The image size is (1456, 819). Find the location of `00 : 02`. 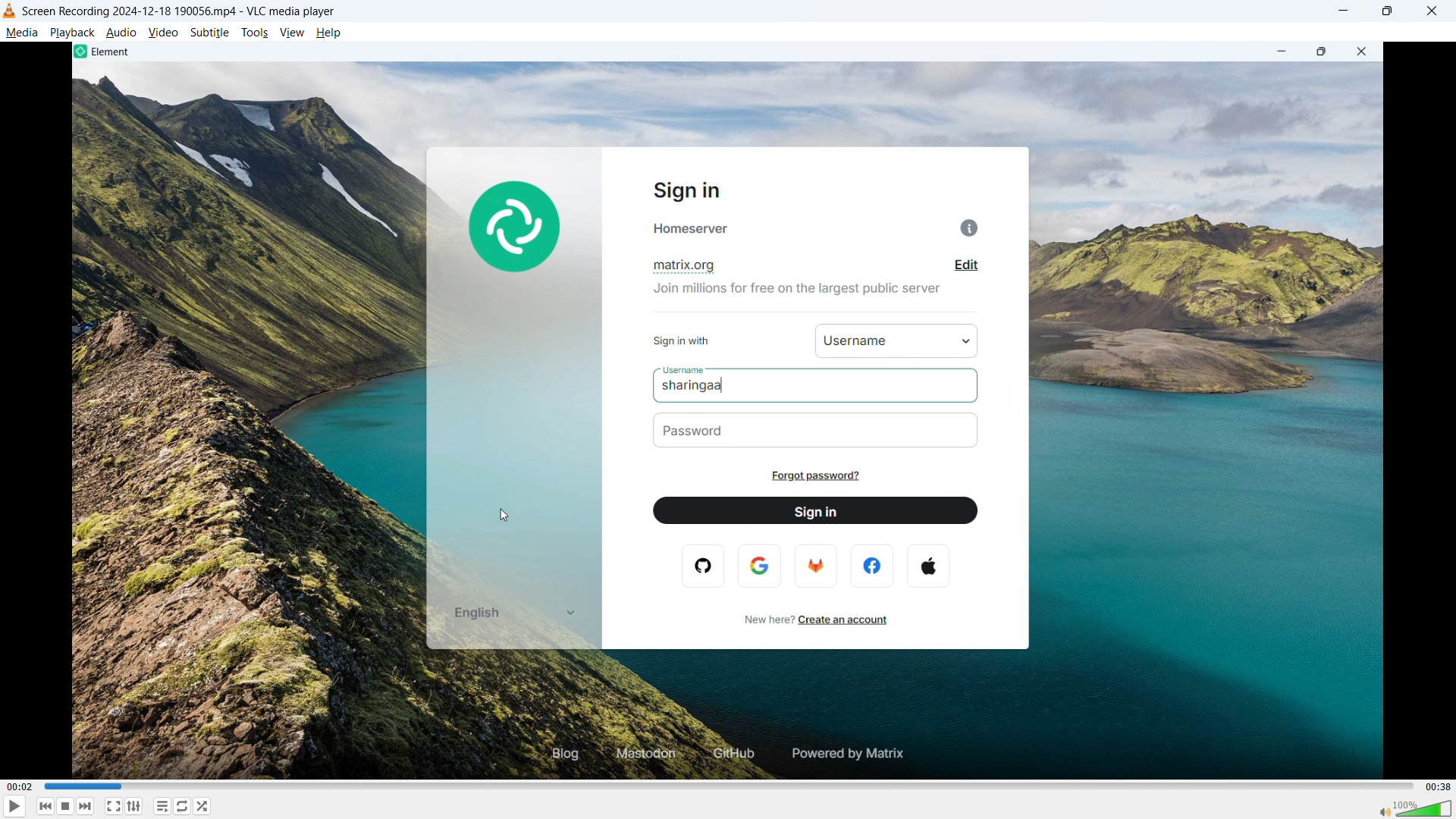

00 : 02 is located at coordinates (21, 786).